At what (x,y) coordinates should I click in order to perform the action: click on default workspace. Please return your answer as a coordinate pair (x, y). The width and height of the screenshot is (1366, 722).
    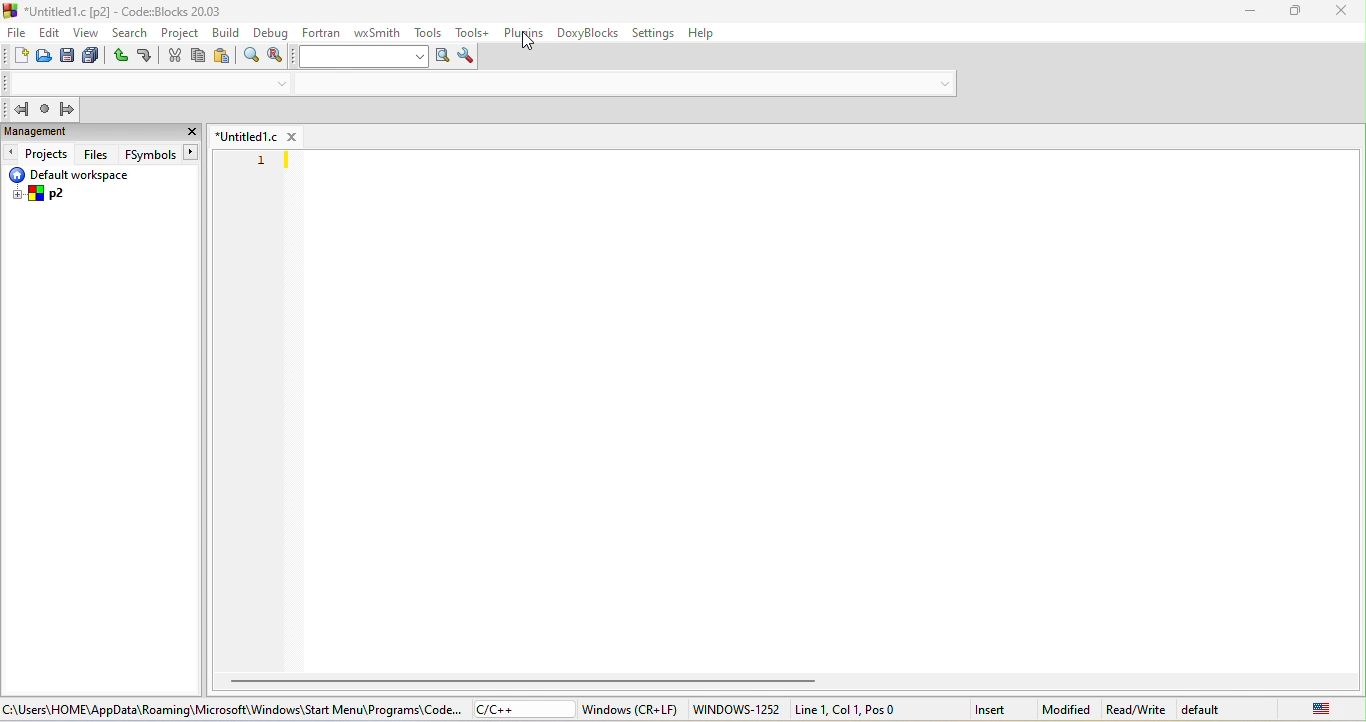
    Looking at the image, I should click on (83, 175).